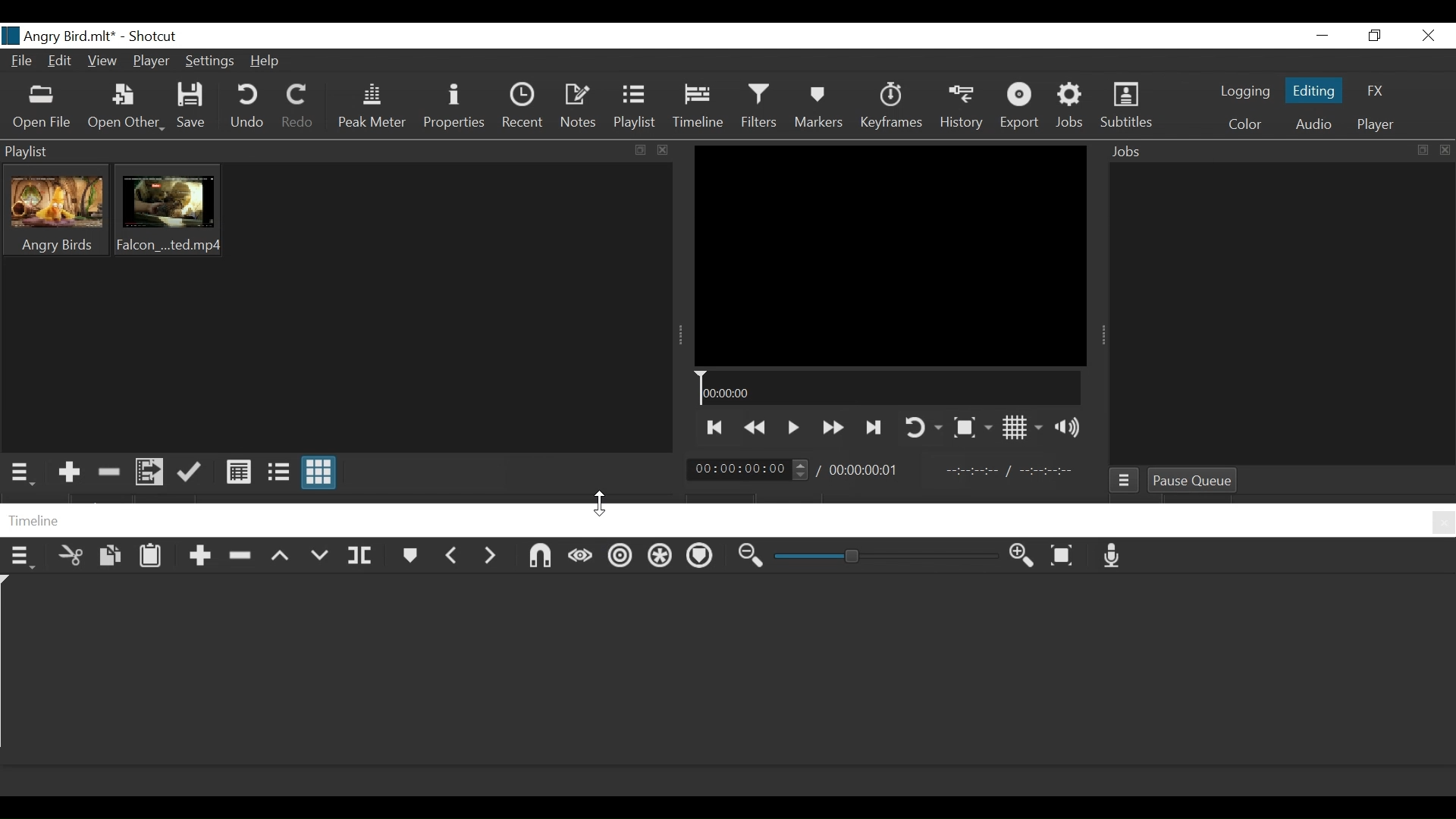 This screenshot has height=819, width=1456. Describe the element at coordinates (1323, 36) in the screenshot. I see `minimize` at that location.